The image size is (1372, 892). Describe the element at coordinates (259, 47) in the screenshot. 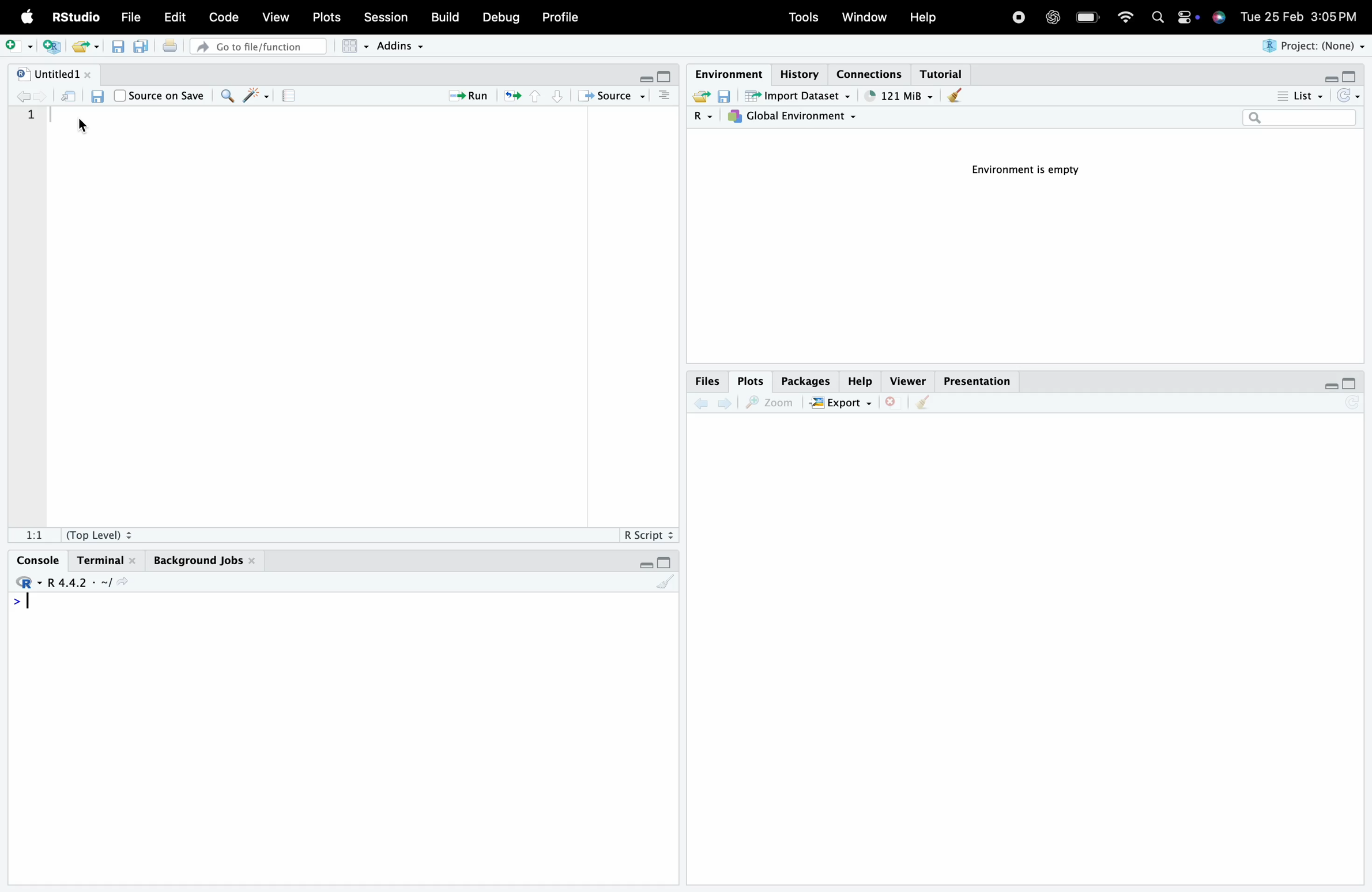

I see `Go to file/function` at that location.